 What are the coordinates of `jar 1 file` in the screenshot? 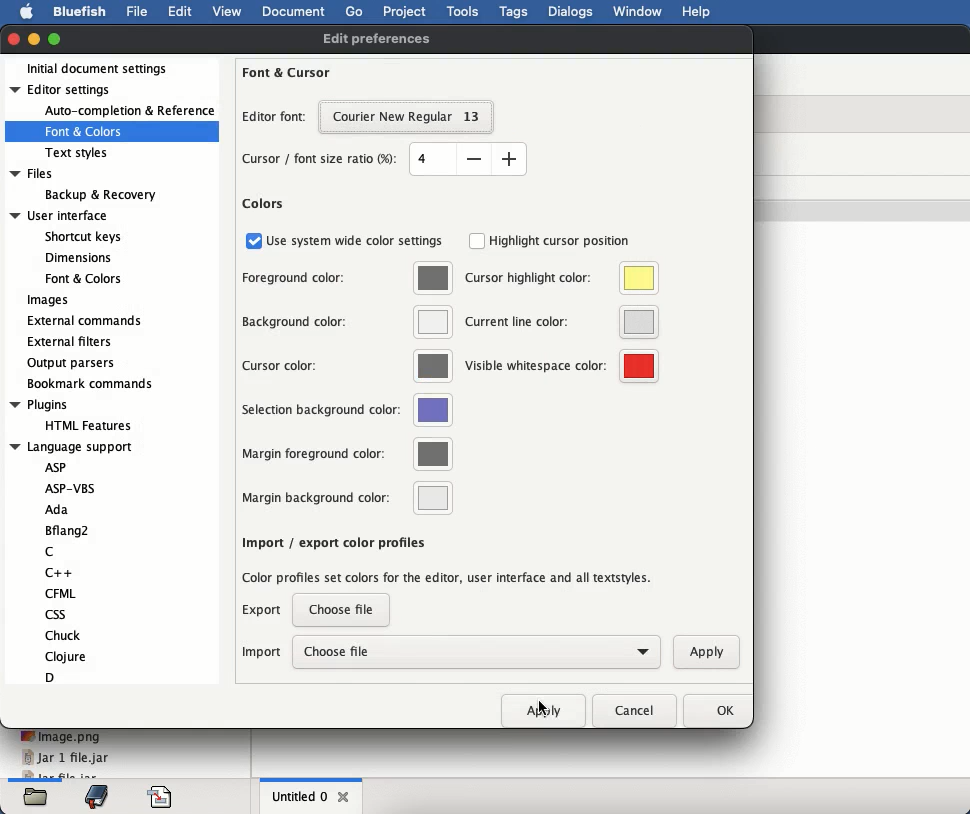 It's located at (65, 758).